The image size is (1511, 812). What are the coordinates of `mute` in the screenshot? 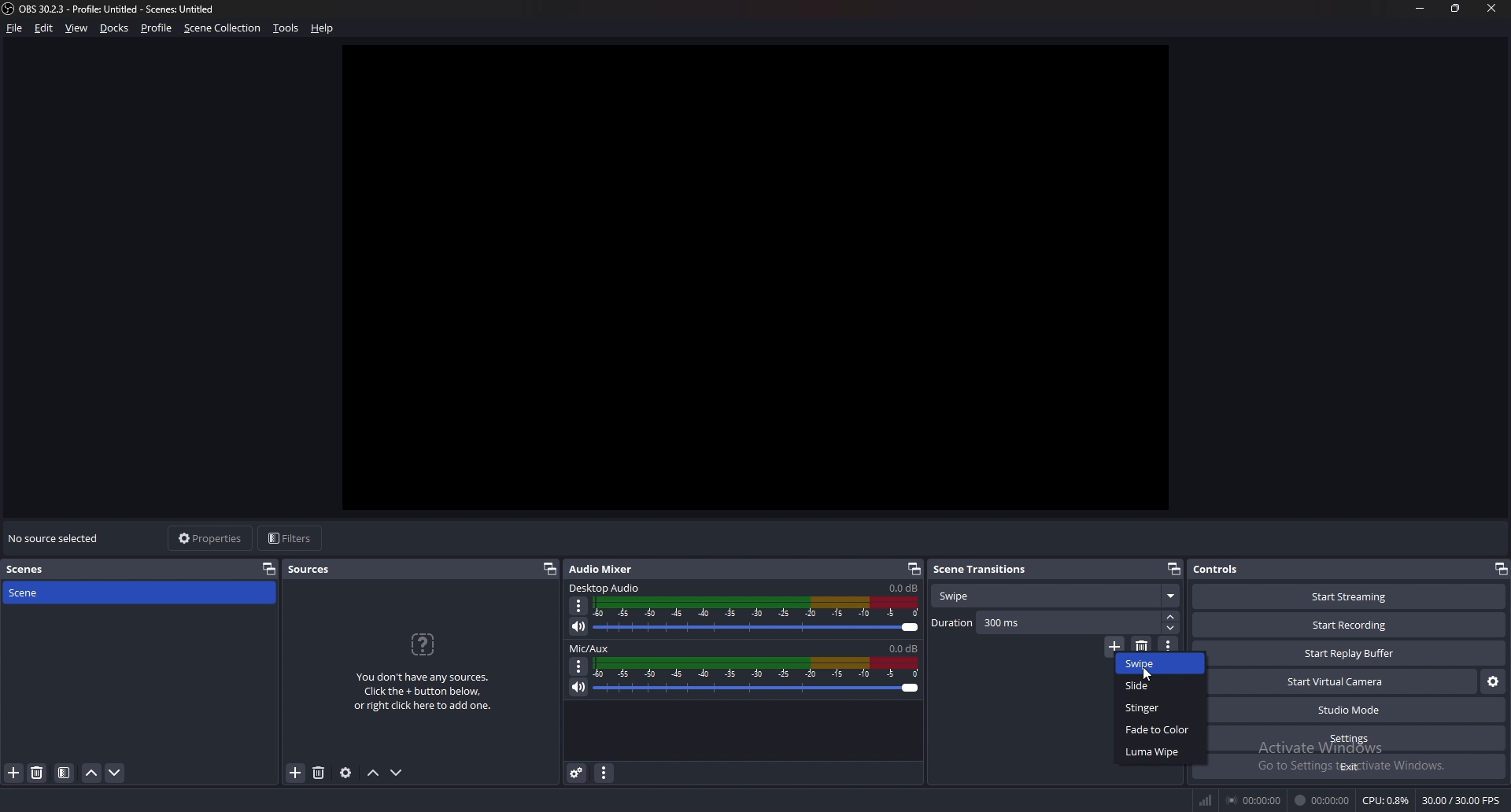 It's located at (580, 628).